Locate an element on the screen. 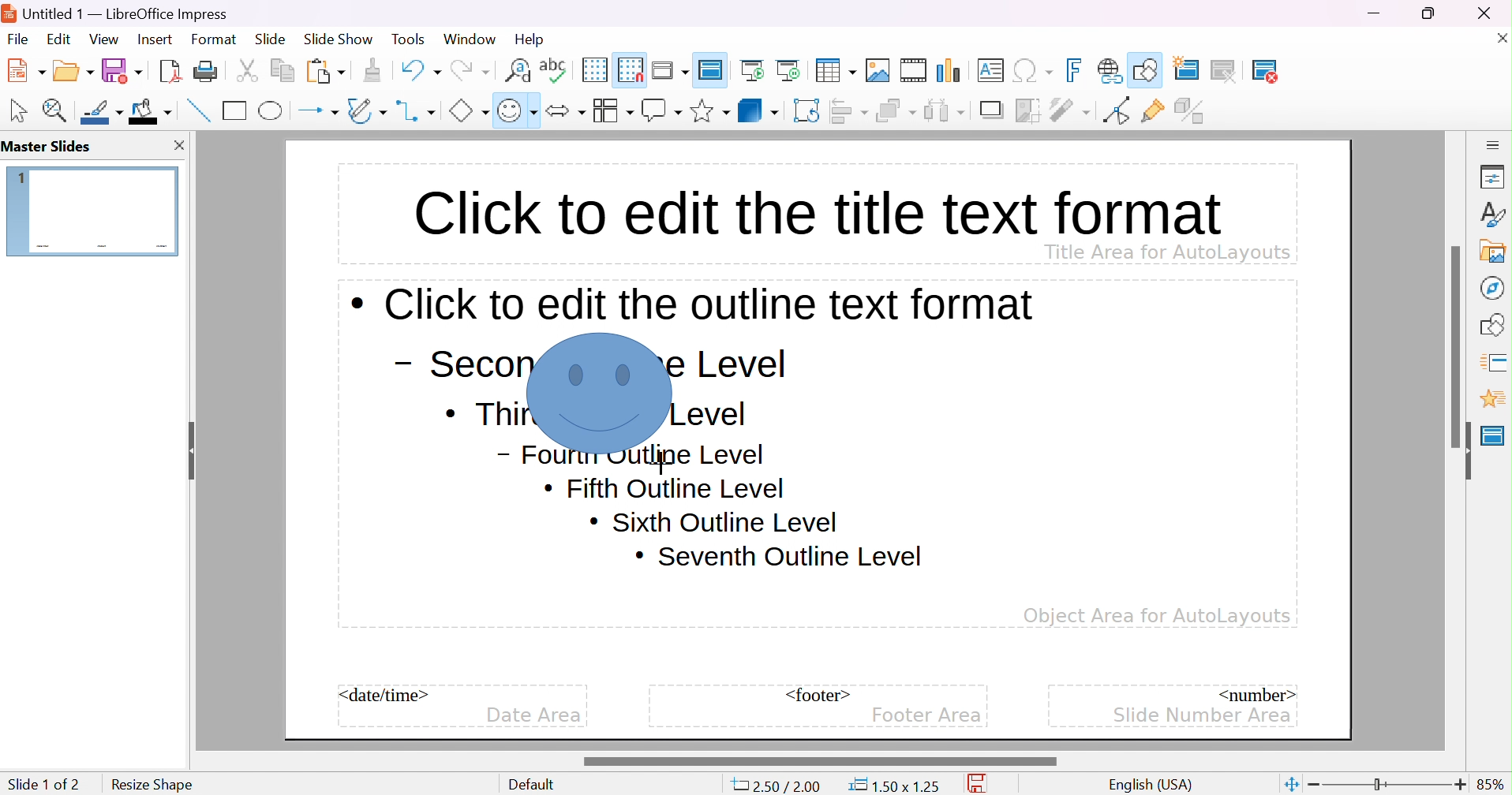 This screenshot has width=1512, height=795. sidebar settings is located at coordinates (1494, 144).